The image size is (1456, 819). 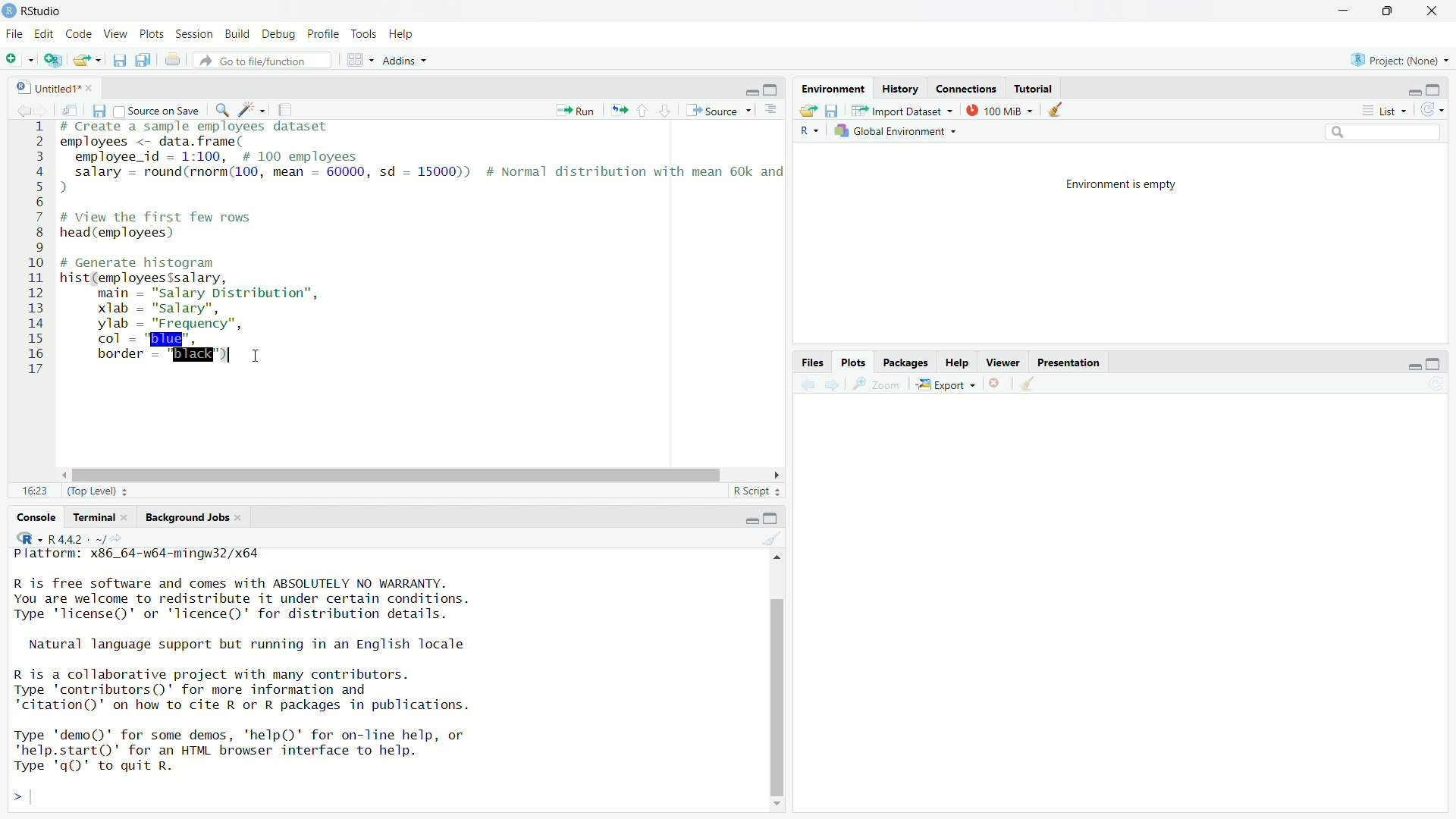 What do you see at coordinates (266, 60) in the screenshot?
I see `Go to file/function` at bounding box center [266, 60].